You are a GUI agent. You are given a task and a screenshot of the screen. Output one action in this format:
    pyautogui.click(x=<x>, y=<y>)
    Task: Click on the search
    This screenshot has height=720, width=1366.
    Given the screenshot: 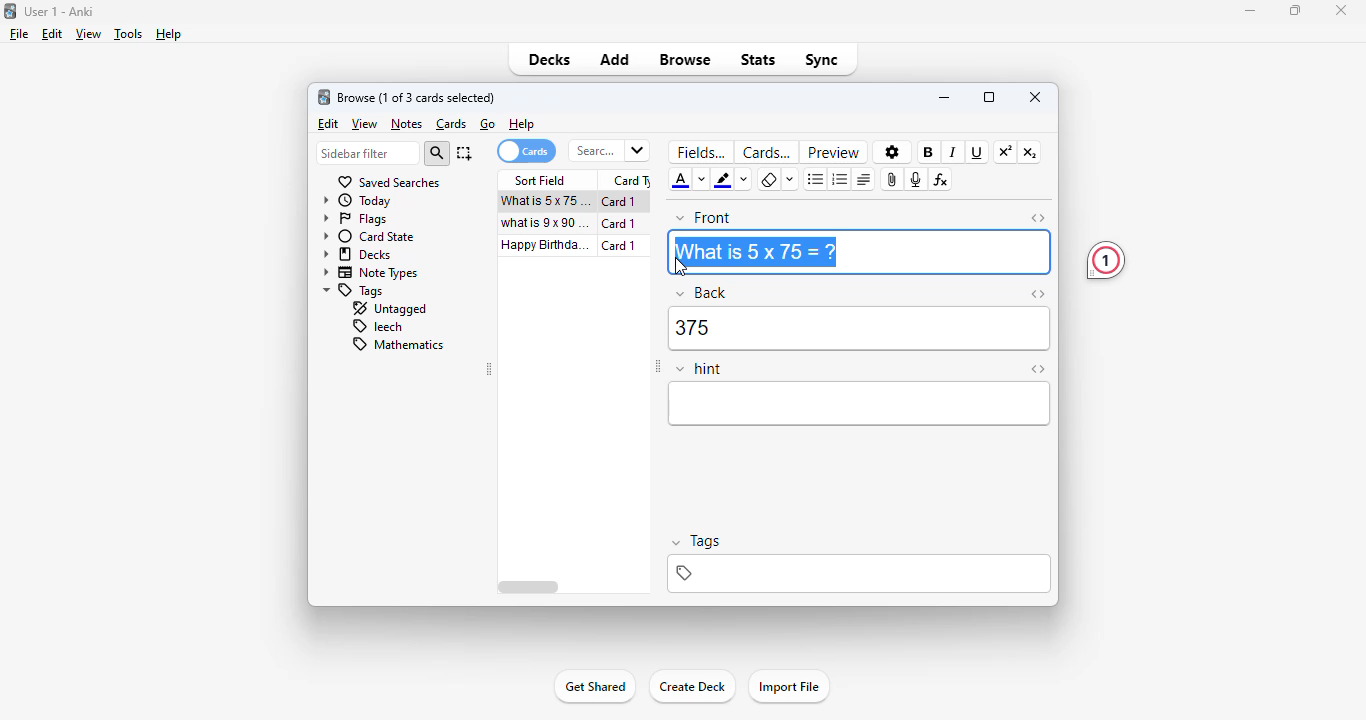 What is the action you would take?
    pyautogui.click(x=437, y=153)
    